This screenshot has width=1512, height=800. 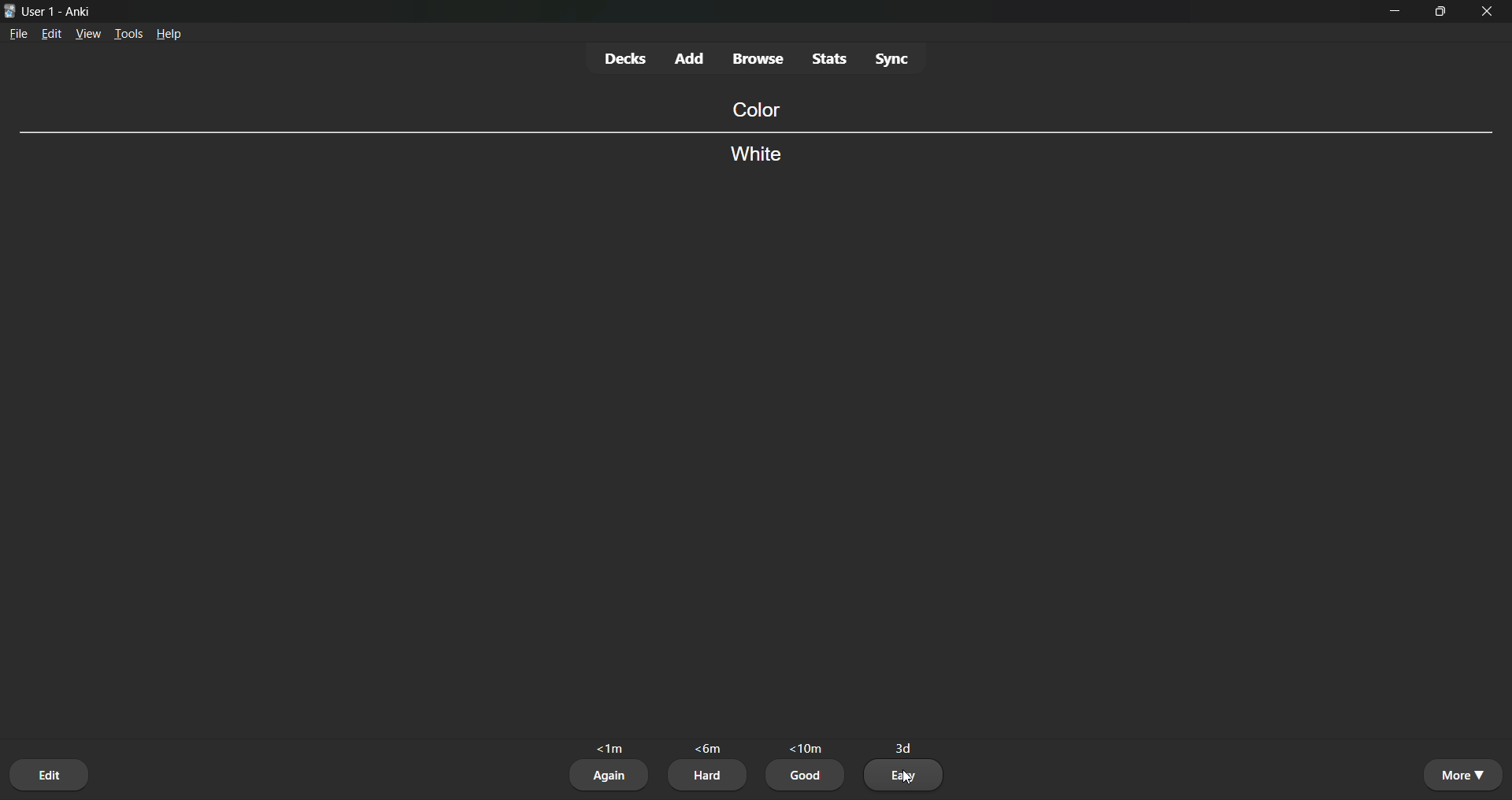 I want to click on tools, so click(x=130, y=31).